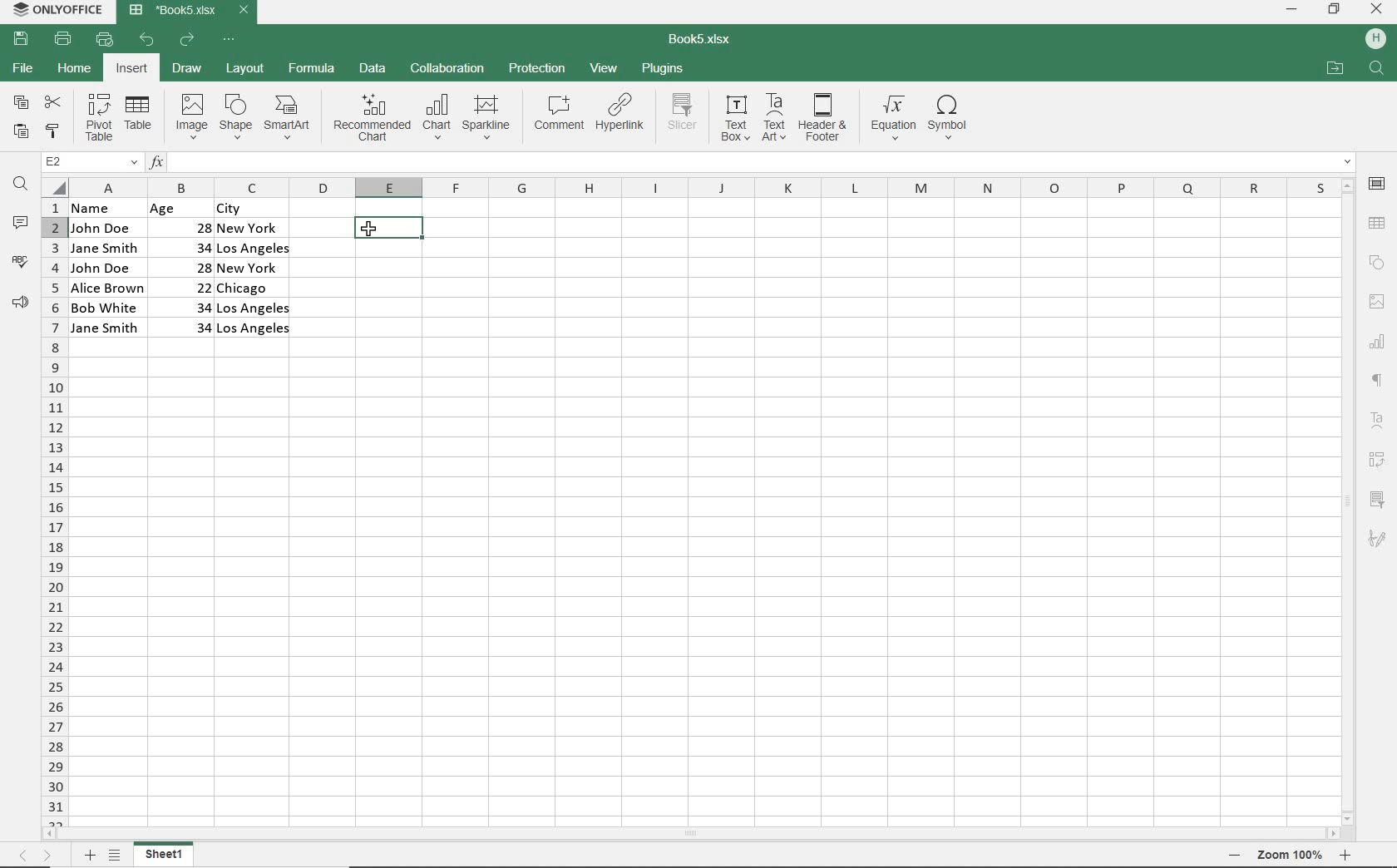 The image size is (1397, 868). I want to click on 34, so click(185, 306).